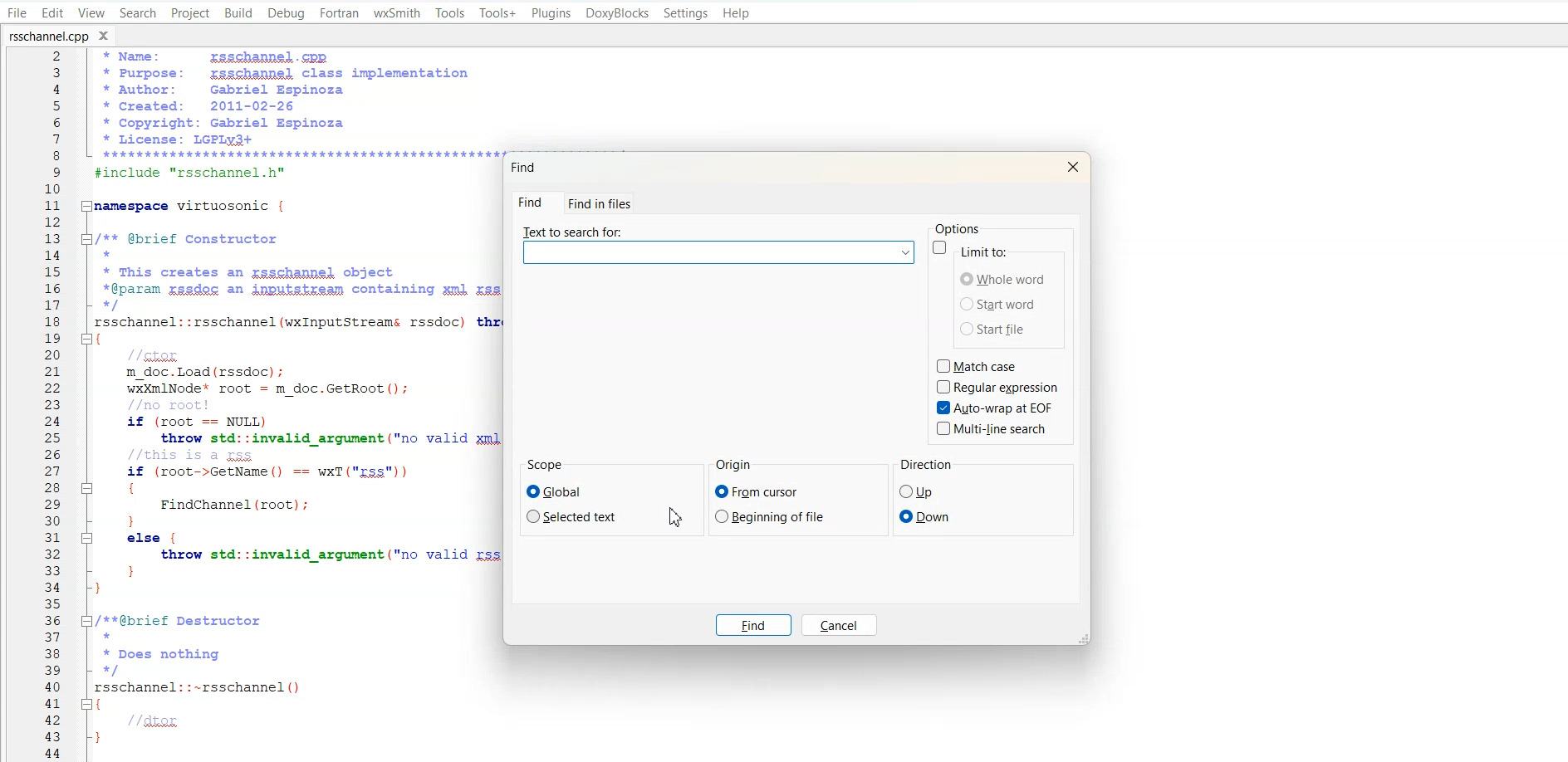 Image resolution: width=1568 pixels, height=762 pixels. What do you see at coordinates (189, 13) in the screenshot?
I see `Project` at bounding box center [189, 13].